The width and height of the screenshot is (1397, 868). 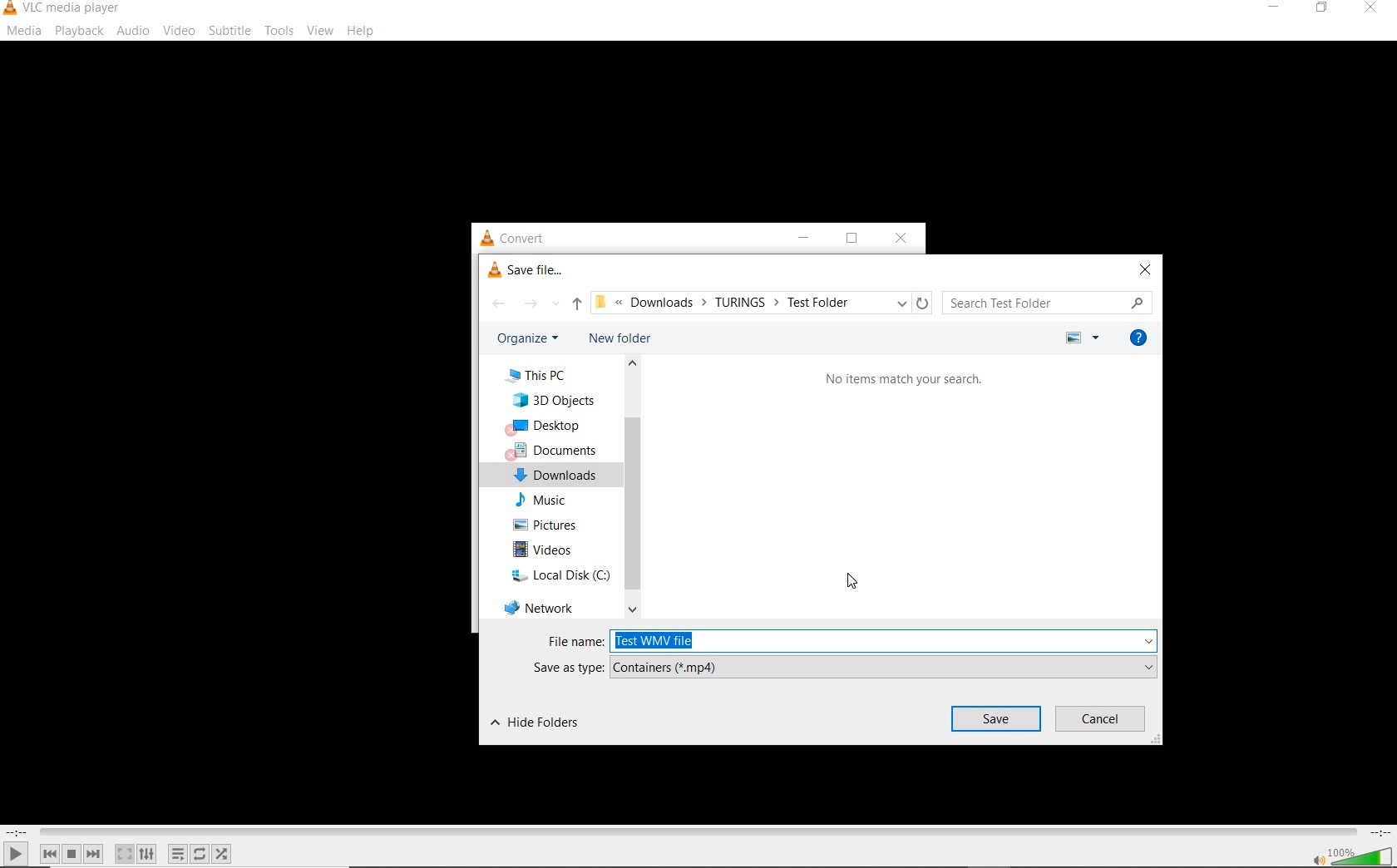 What do you see at coordinates (525, 238) in the screenshot?
I see `convert` at bounding box center [525, 238].